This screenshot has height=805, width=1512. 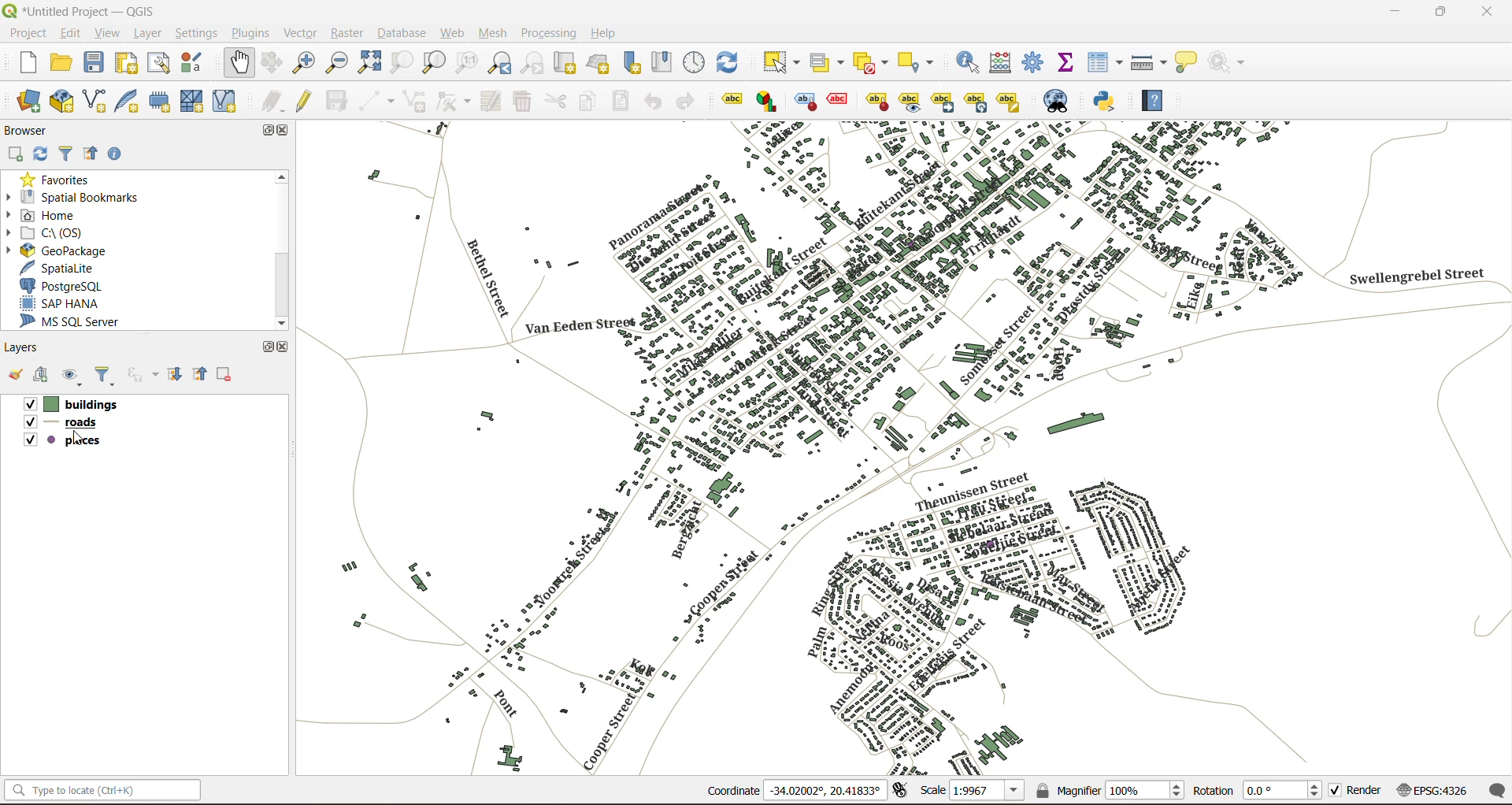 I want to click on enable properties, so click(x=117, y=154).